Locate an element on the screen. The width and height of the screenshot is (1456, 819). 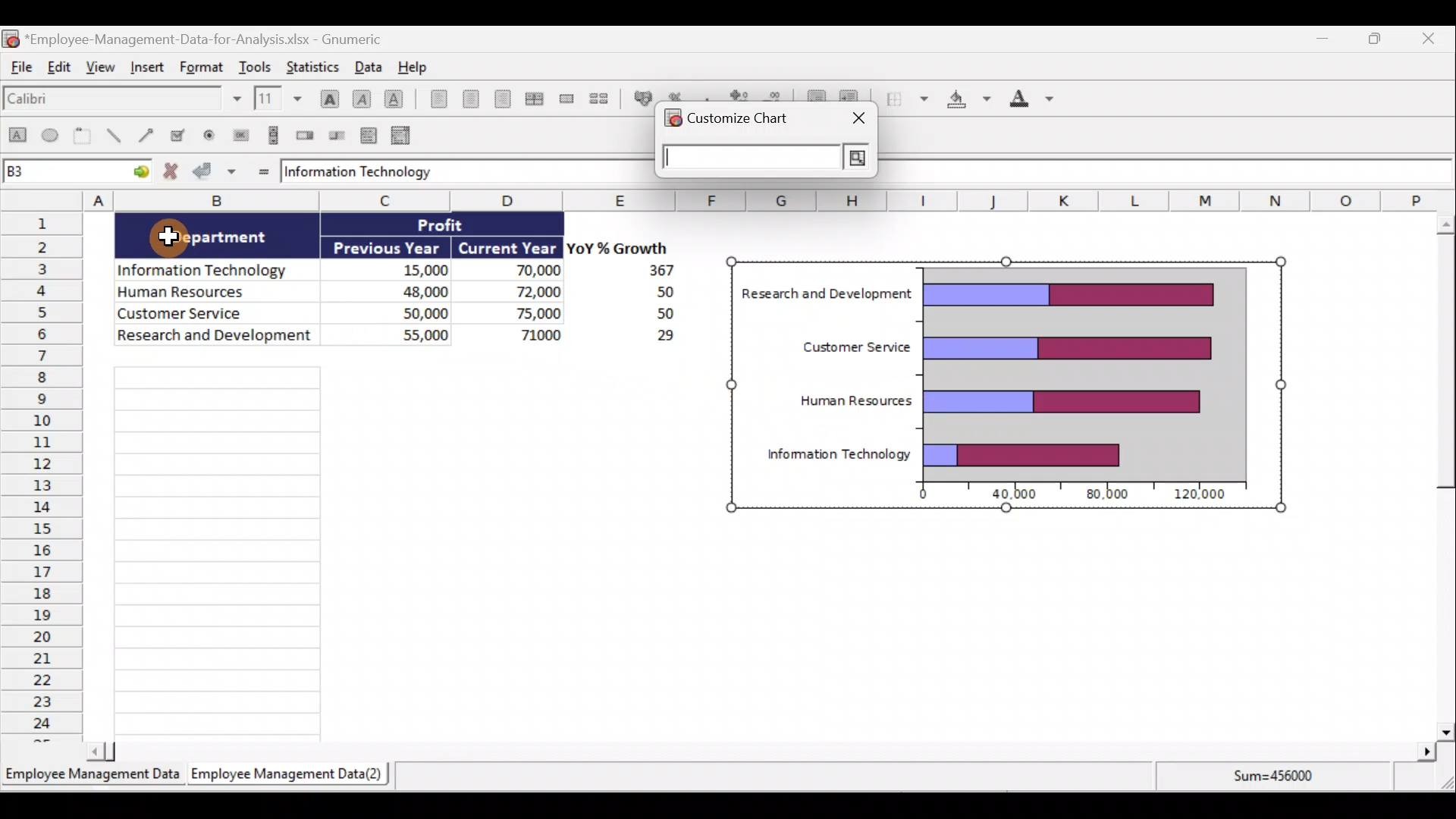
Font size is located at coordinates (281, 99).